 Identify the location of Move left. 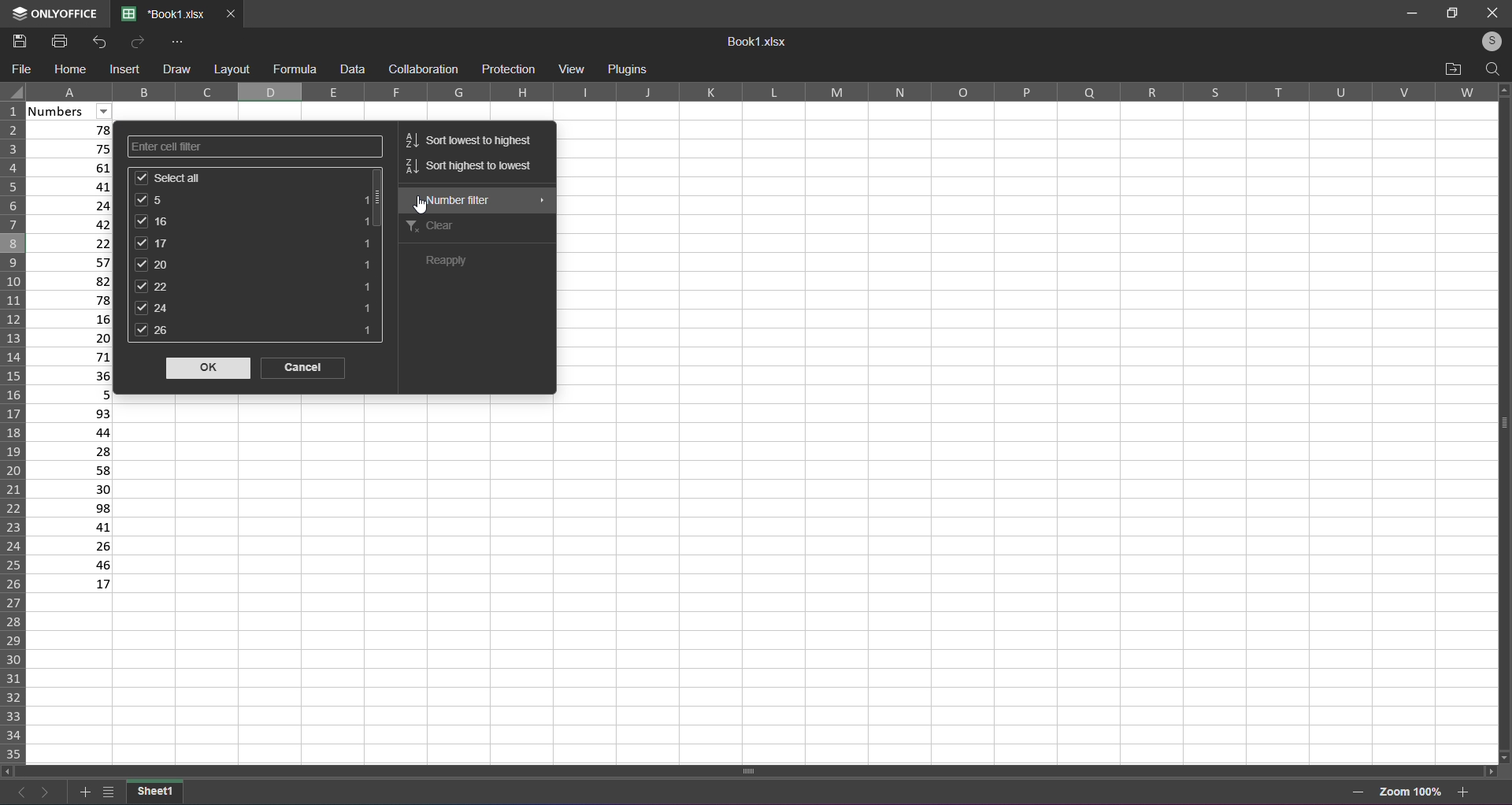
(8, 770).